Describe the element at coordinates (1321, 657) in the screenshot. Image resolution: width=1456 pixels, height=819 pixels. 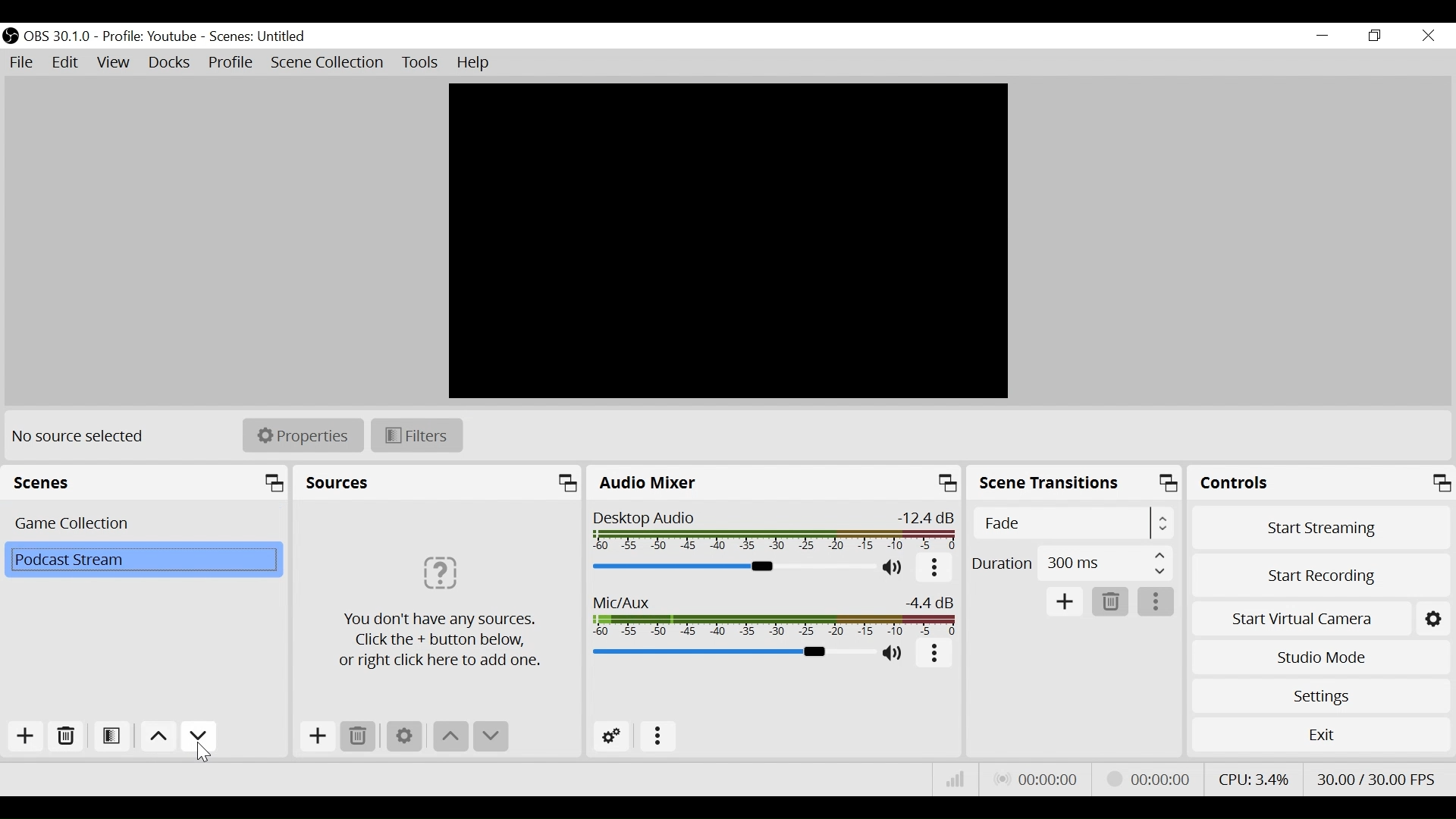
I see `Studio Mode` at that location.